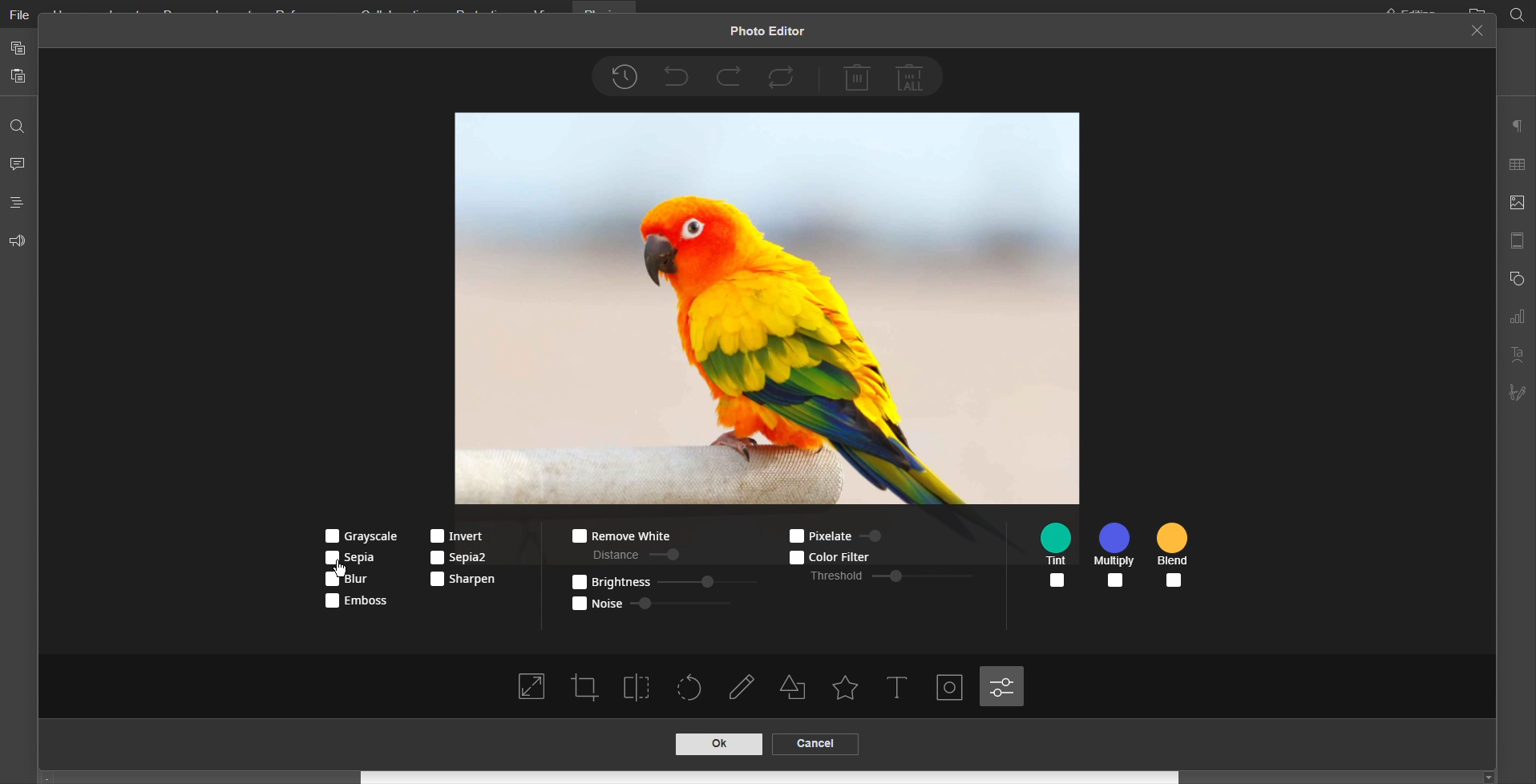 The width and height of the screenshot is (1536, 784). Describe the element at coordinates (18, 121) in the screenshot. I see `Search` at that location.